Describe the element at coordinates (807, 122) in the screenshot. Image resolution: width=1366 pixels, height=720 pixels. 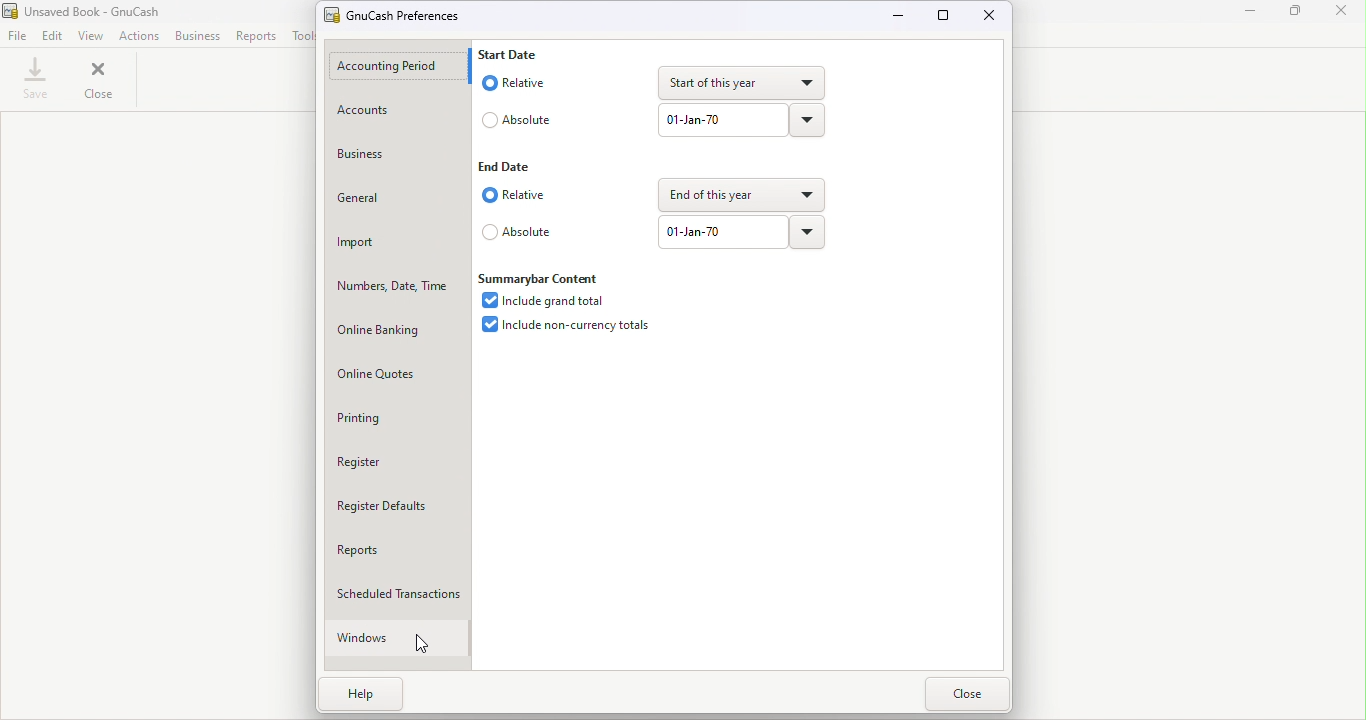
I see `Drop down` at that location.